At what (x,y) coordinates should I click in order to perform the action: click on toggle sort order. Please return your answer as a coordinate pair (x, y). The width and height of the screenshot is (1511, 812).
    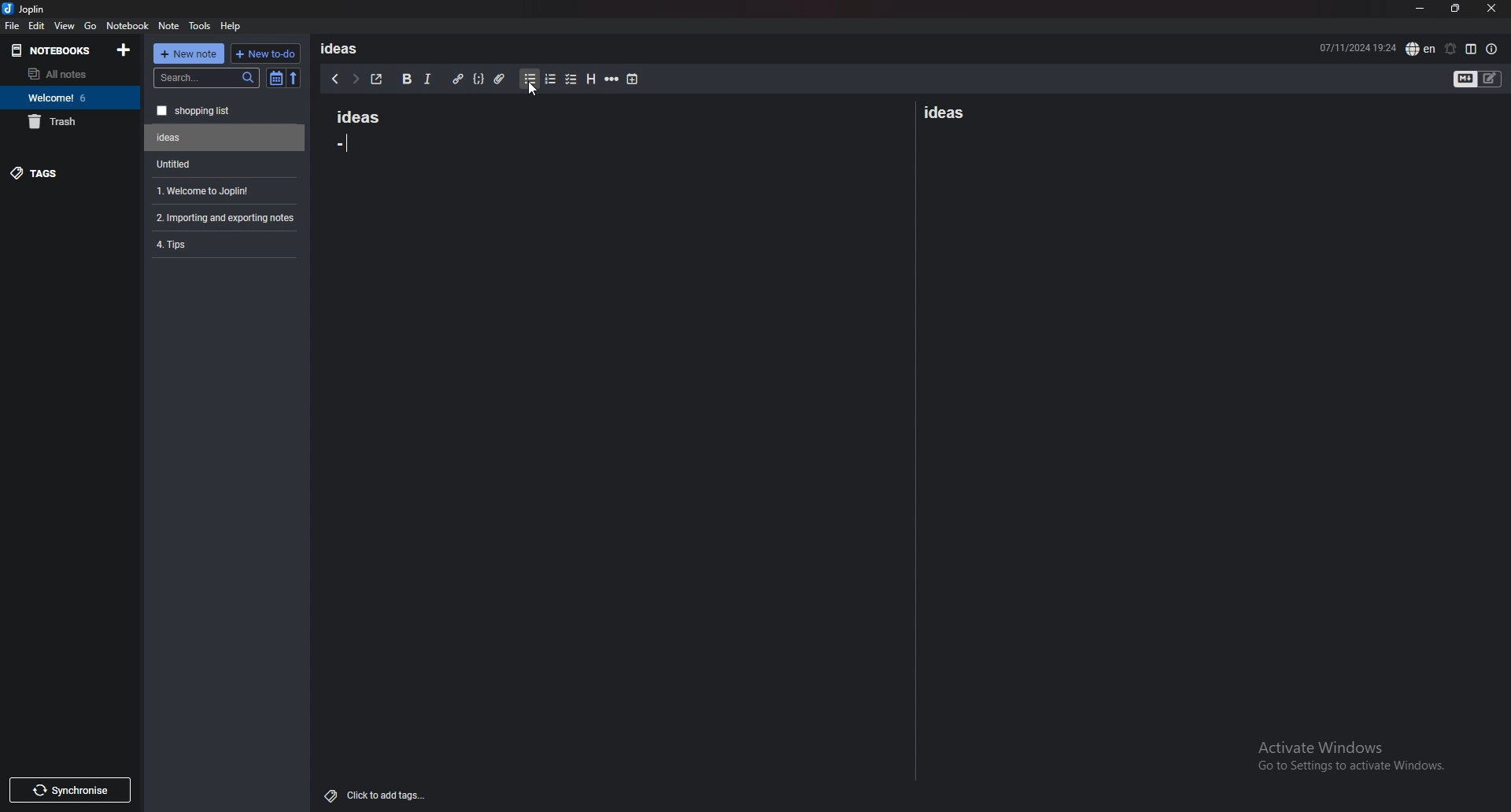
    Looking at the image, I should click on (276, 79).